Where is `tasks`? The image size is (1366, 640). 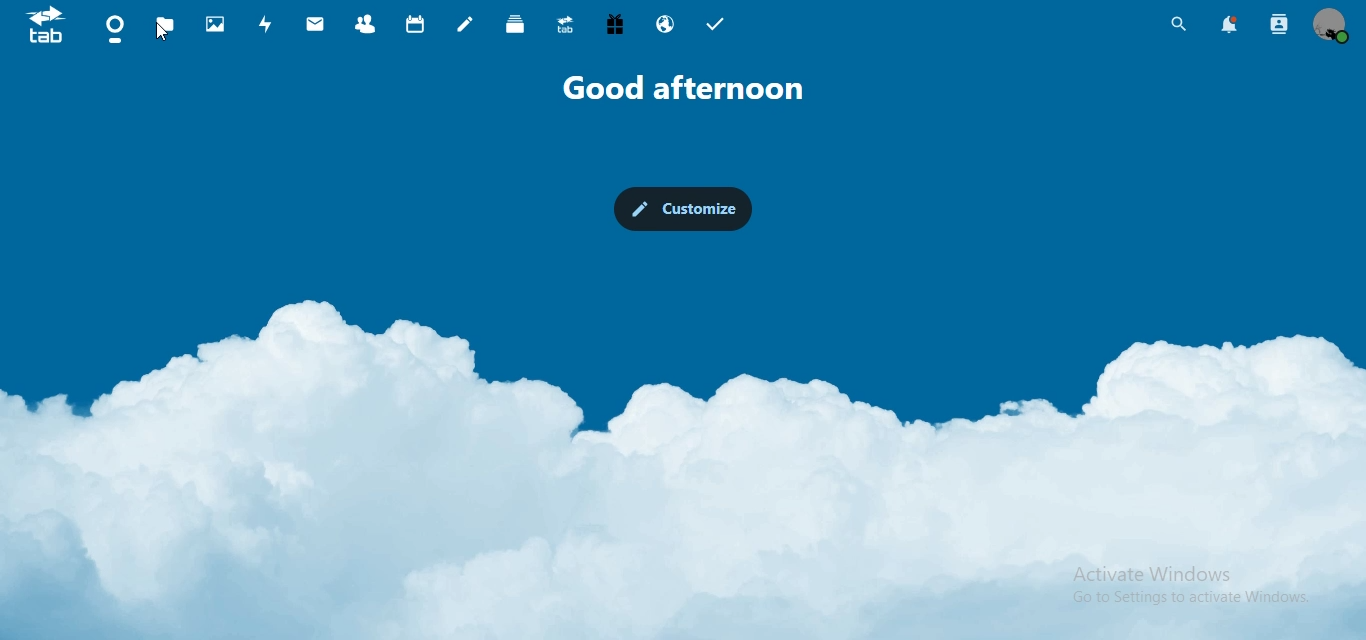 tasks is located at coordinates (721, 24).